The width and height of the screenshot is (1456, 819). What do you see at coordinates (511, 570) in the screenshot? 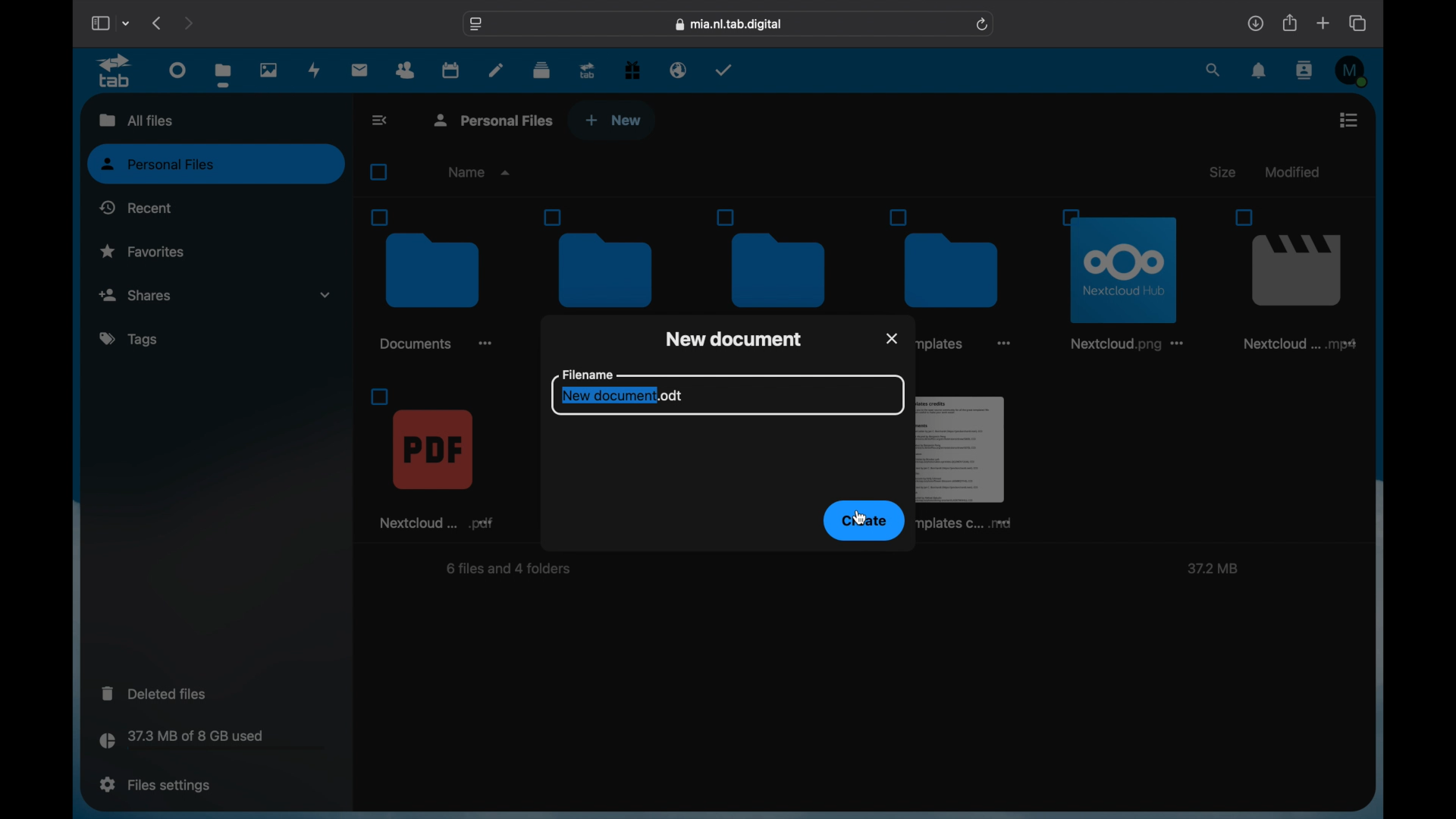
I see `6 files and 4 folders` at bounding box center [511, 570].